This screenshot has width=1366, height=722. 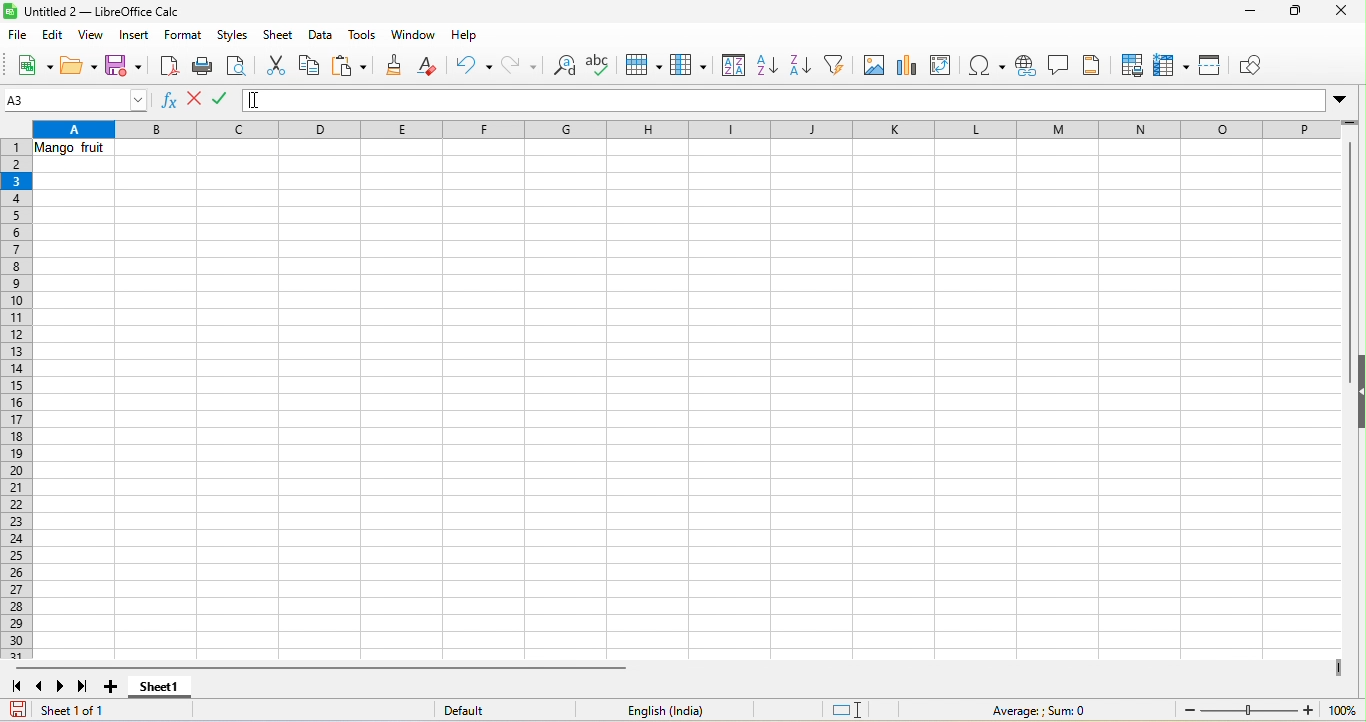 I want to click on sort descending, so click(x=800, y=67).